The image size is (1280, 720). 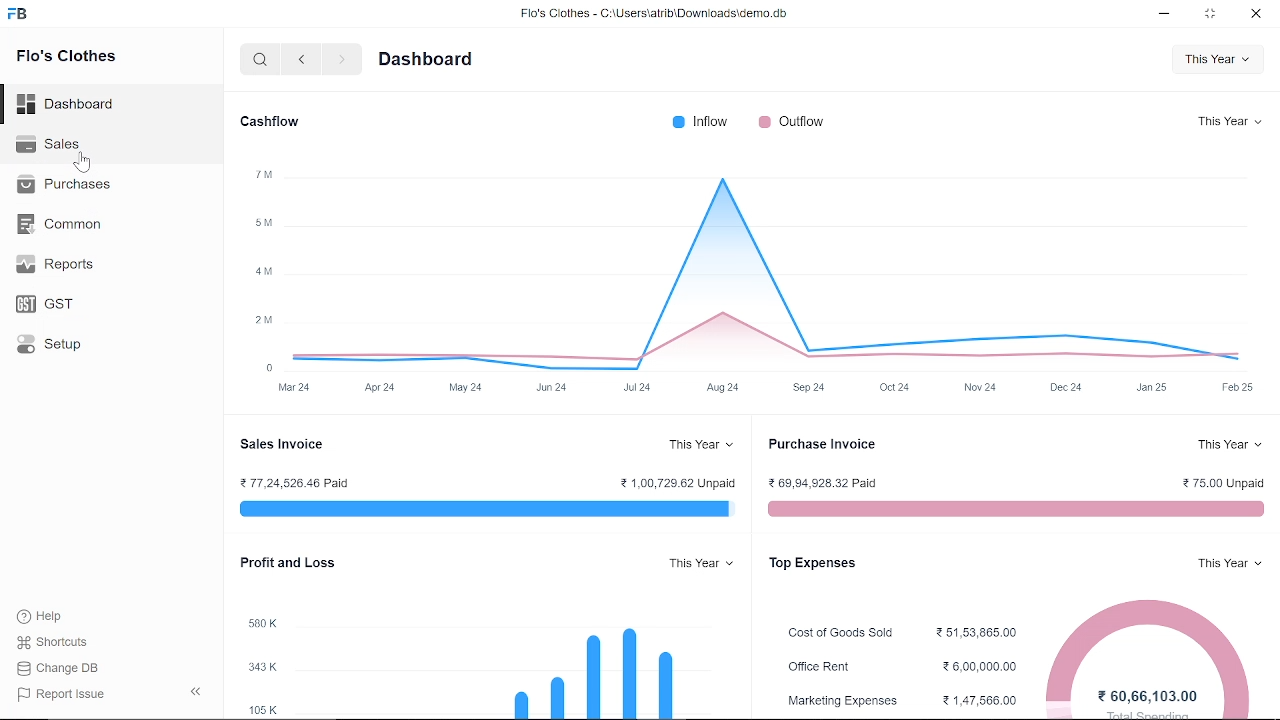 What do you see at coordinates (342, 61) in the screenshot?
I see `next` at bounding box center [342, 61].